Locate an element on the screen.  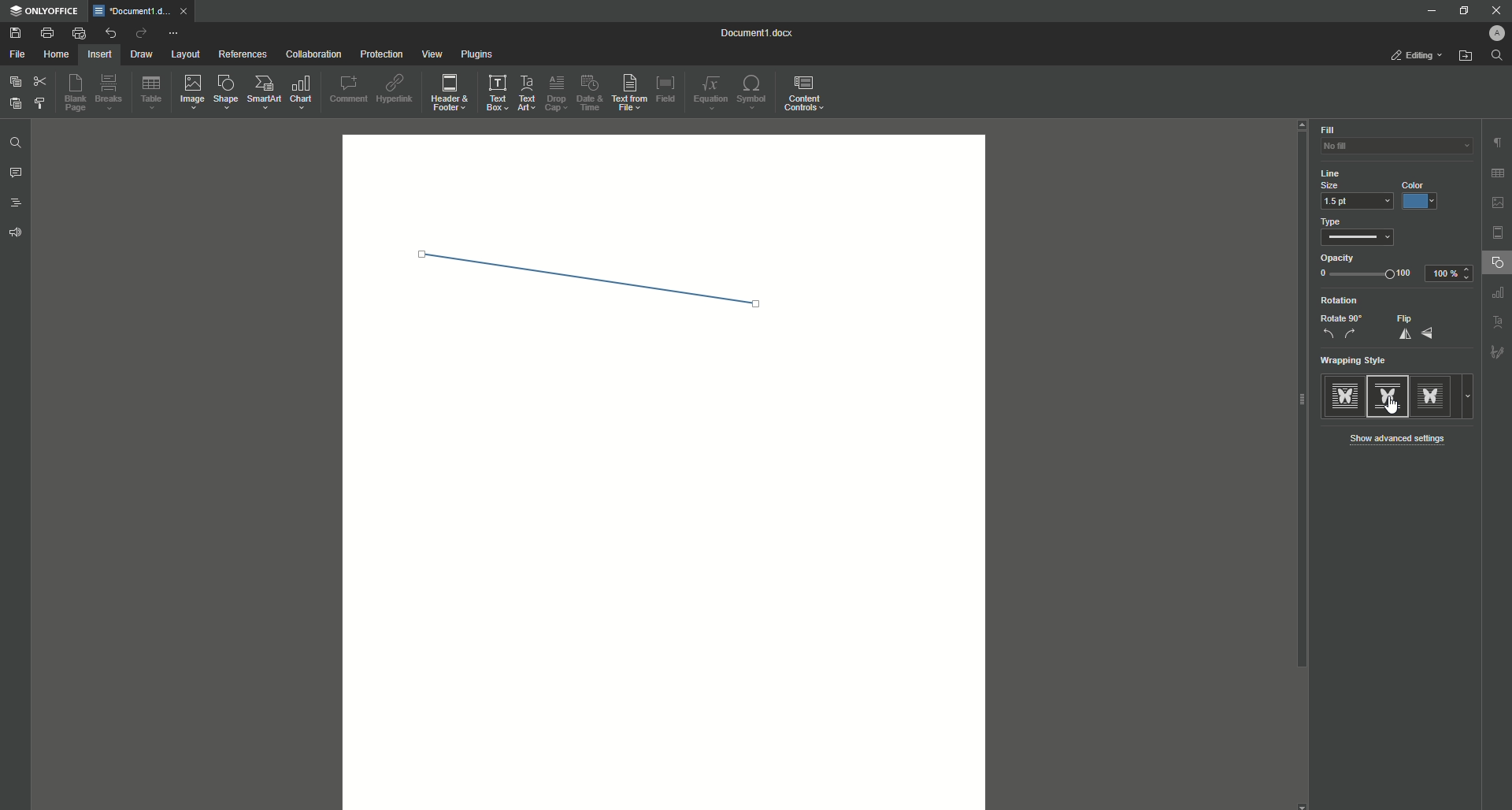
Comments is located at coordinates (16, 175).